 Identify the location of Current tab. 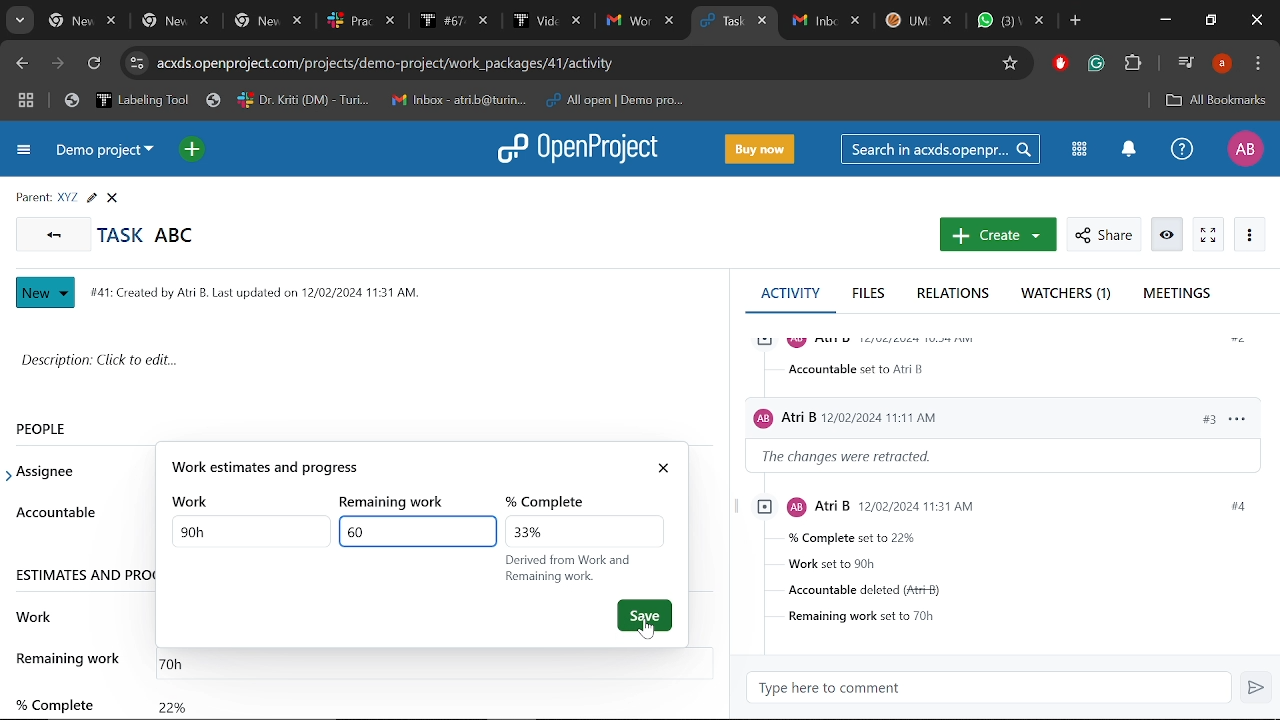
(718, 22).